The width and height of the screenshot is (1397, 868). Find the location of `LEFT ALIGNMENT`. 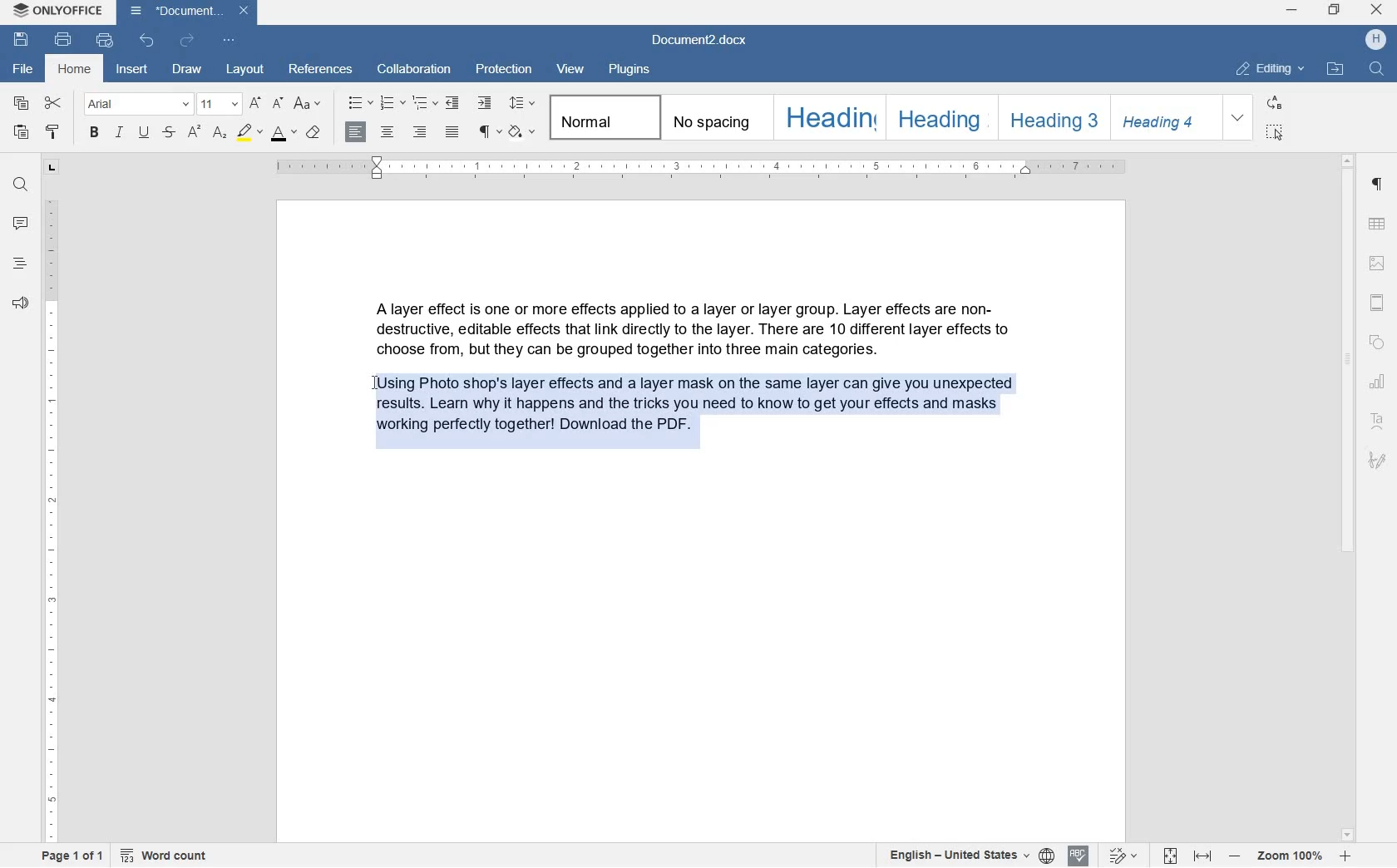

LEFT ALIGNMENT is located at coordinates (356, 133).